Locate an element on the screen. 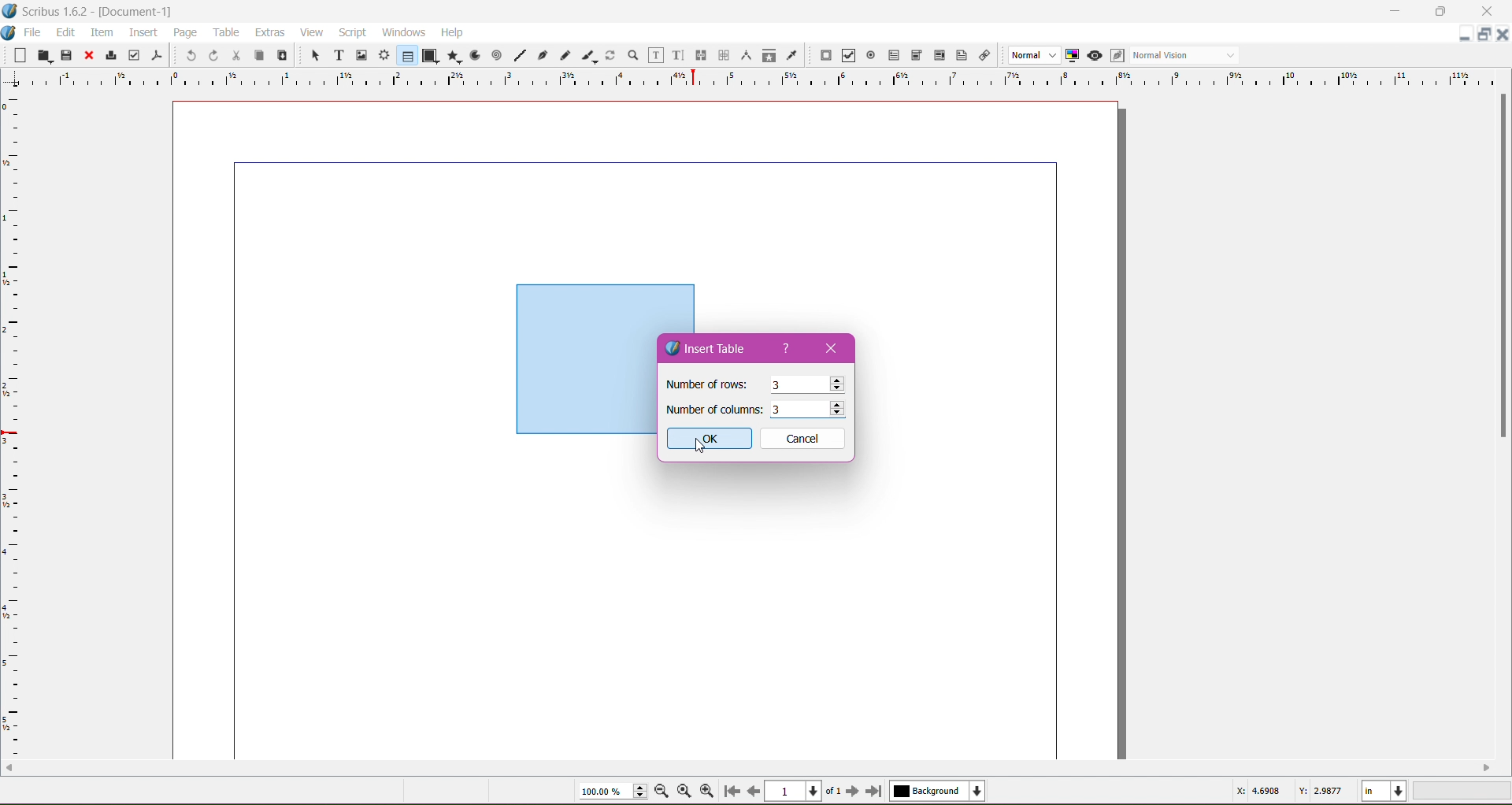 Image resolution: width=1512 pixels, height=805 pixels. Cut is located at coordinates (233, 54).